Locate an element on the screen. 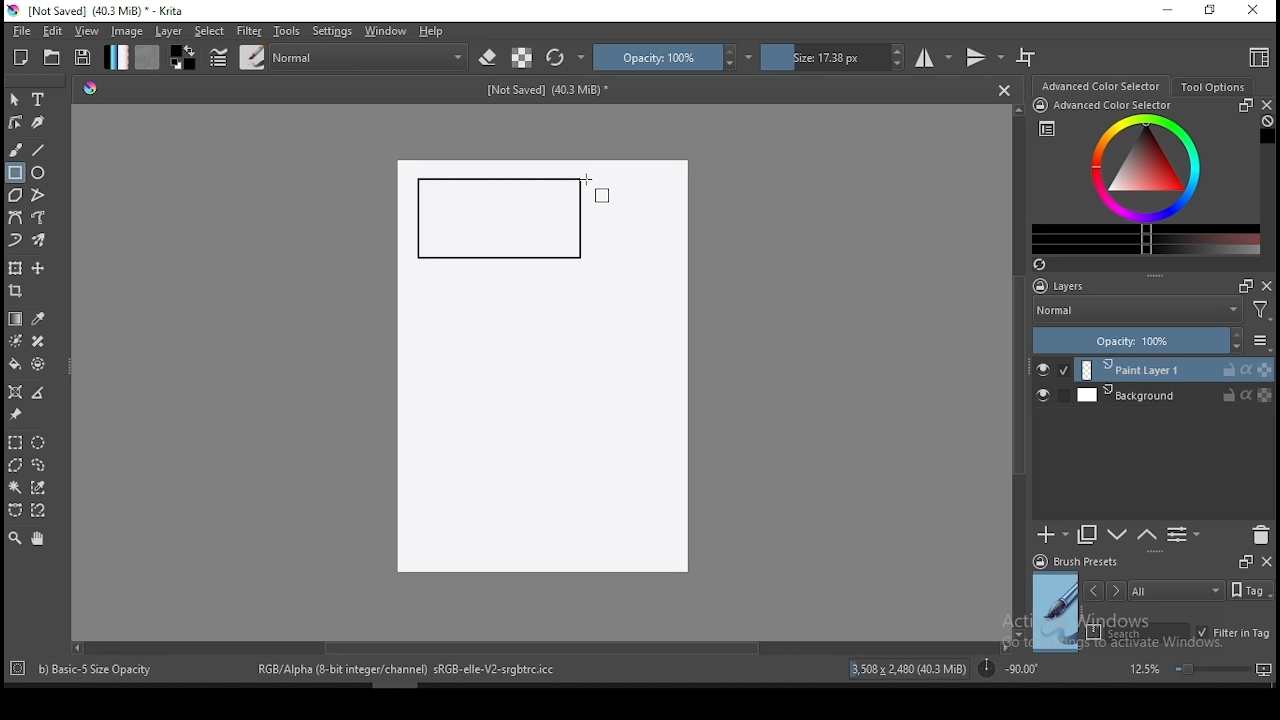  rotation is located at coordinates (1008, 667).